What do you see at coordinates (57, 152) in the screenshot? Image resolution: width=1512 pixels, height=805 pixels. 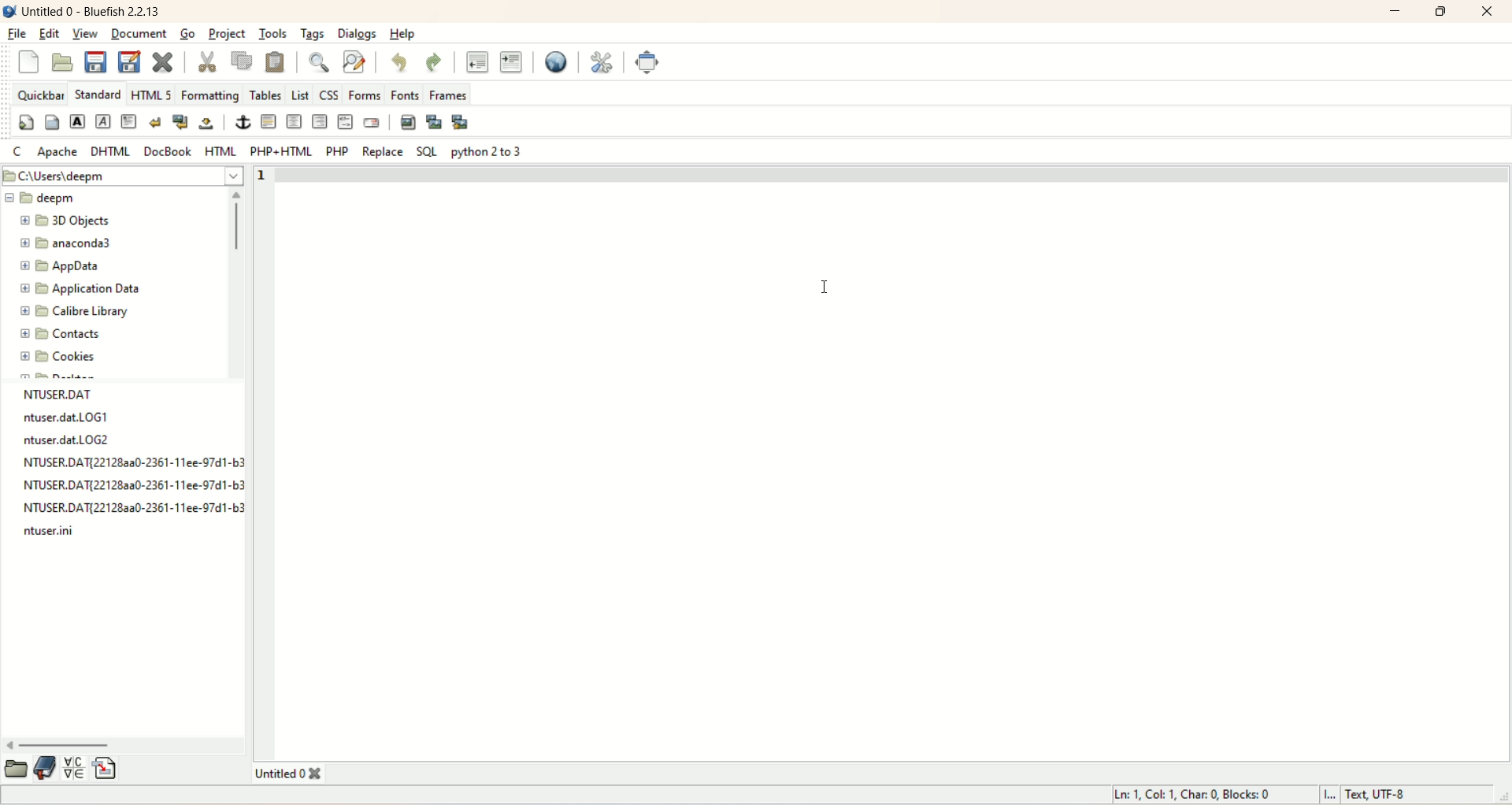 I see `Apache` at bounding box center [57, 152].